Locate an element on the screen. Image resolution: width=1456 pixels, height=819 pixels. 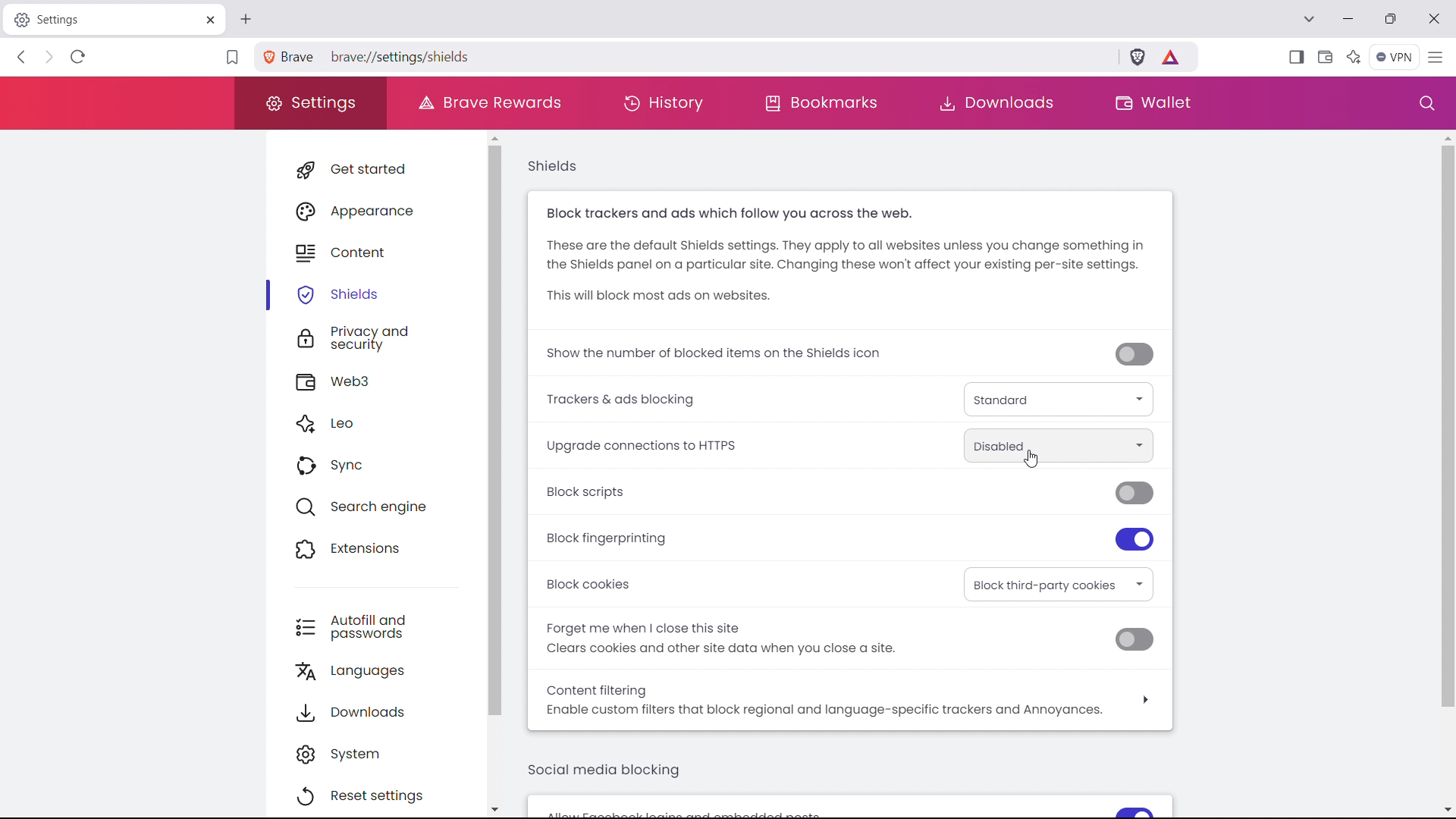
bookmarks is located at coordinates (821, 103).